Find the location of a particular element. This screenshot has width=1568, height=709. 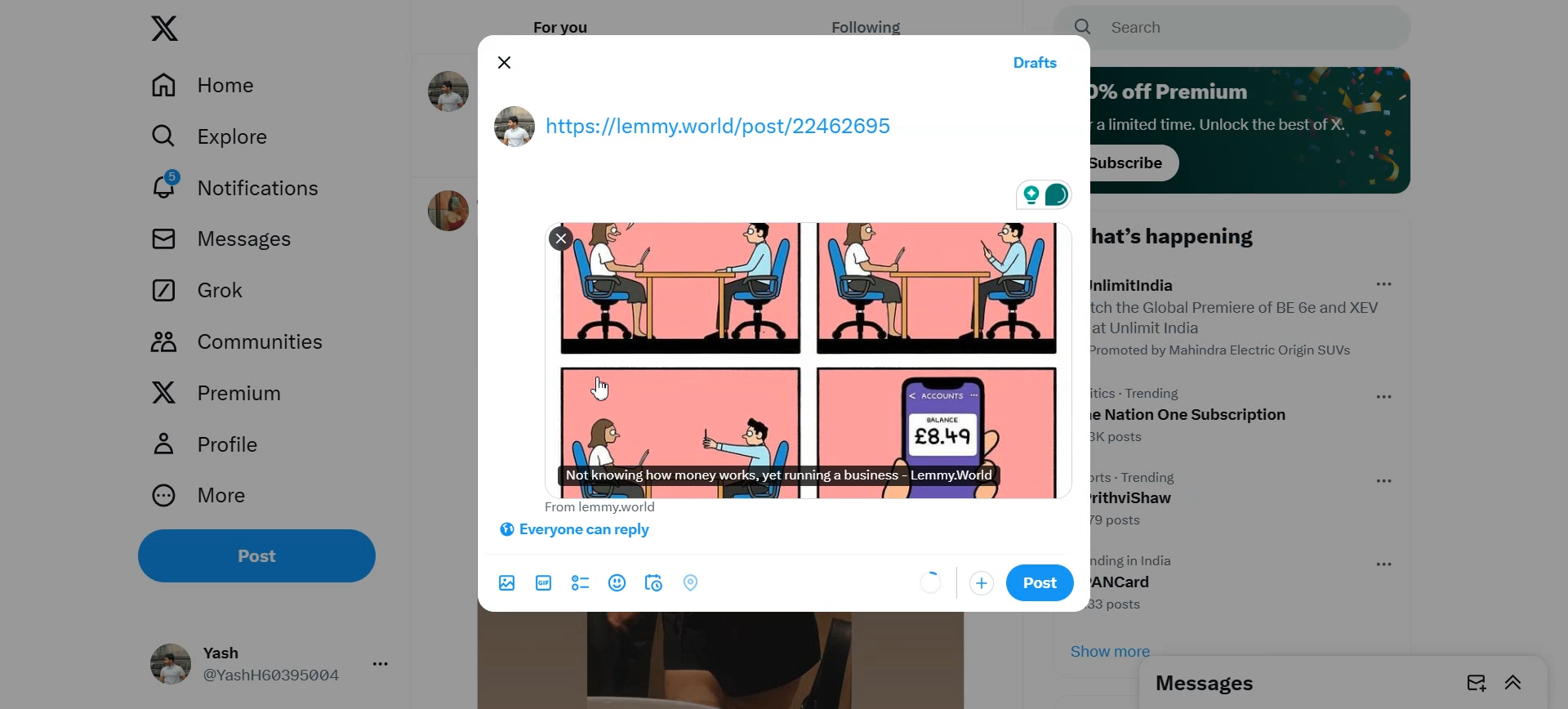

options is located at coordinates (1395, 564).